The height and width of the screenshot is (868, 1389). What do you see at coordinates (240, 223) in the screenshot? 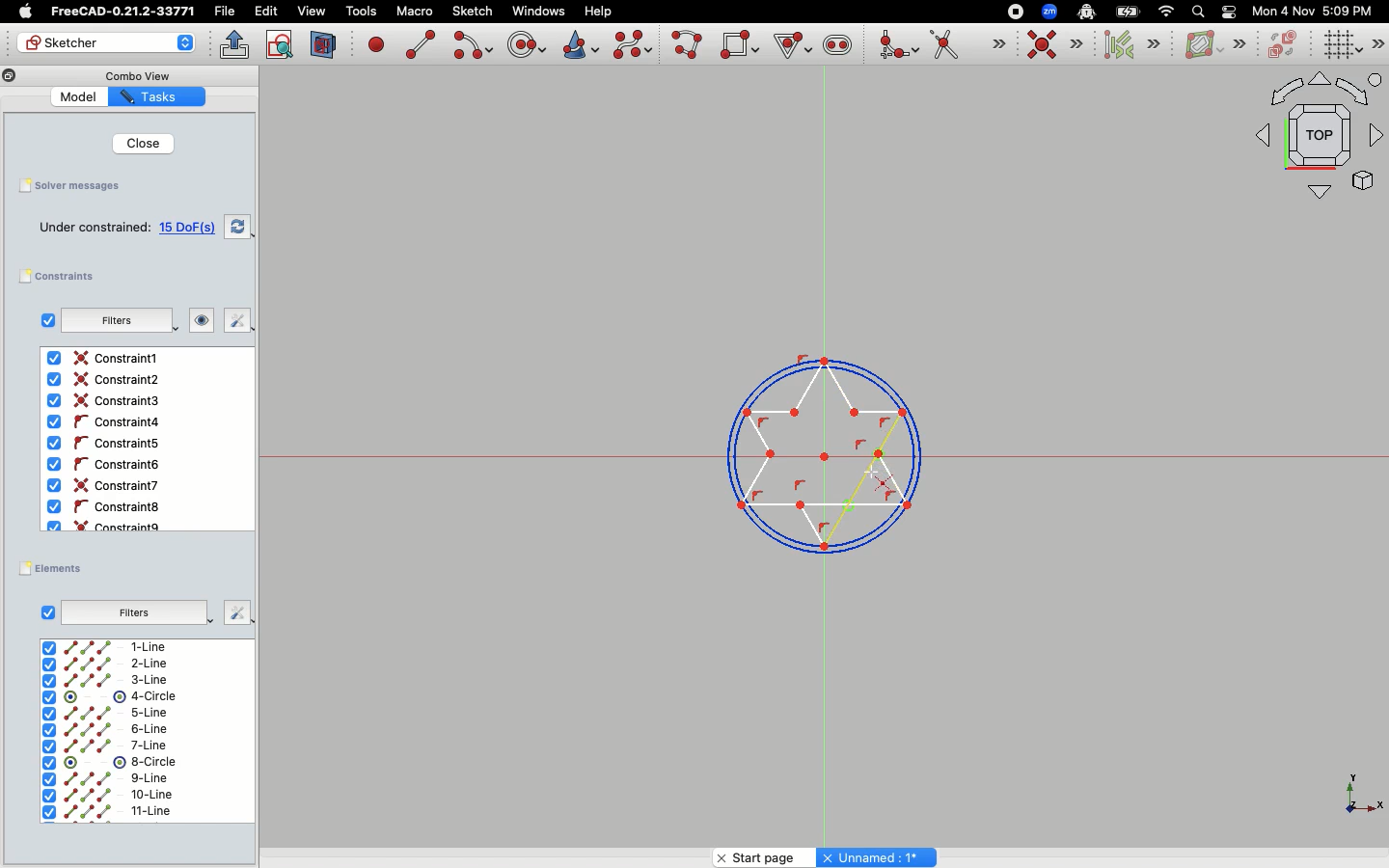
I see `Swap` at bounding box center [240, 223].